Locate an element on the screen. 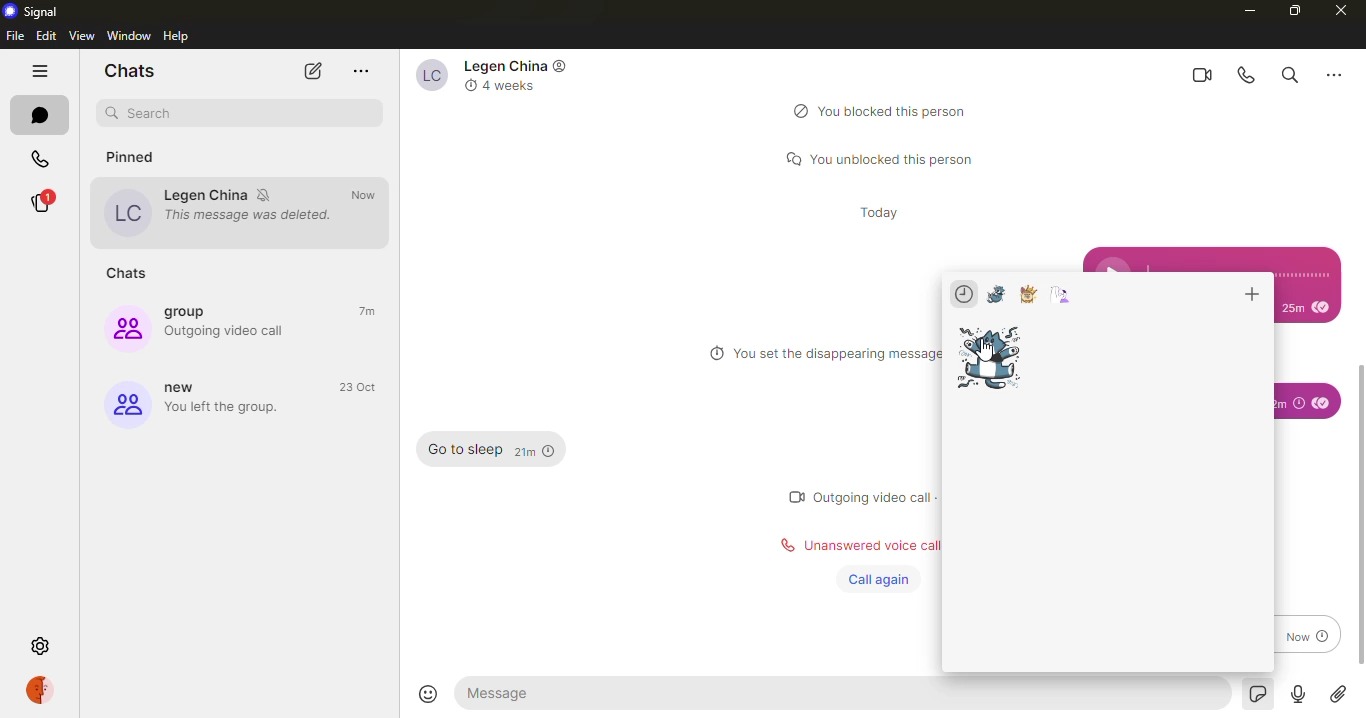 Image resolution: width=1366 pixels, height=718 pixels. edit is located at coordinates (46, 36).